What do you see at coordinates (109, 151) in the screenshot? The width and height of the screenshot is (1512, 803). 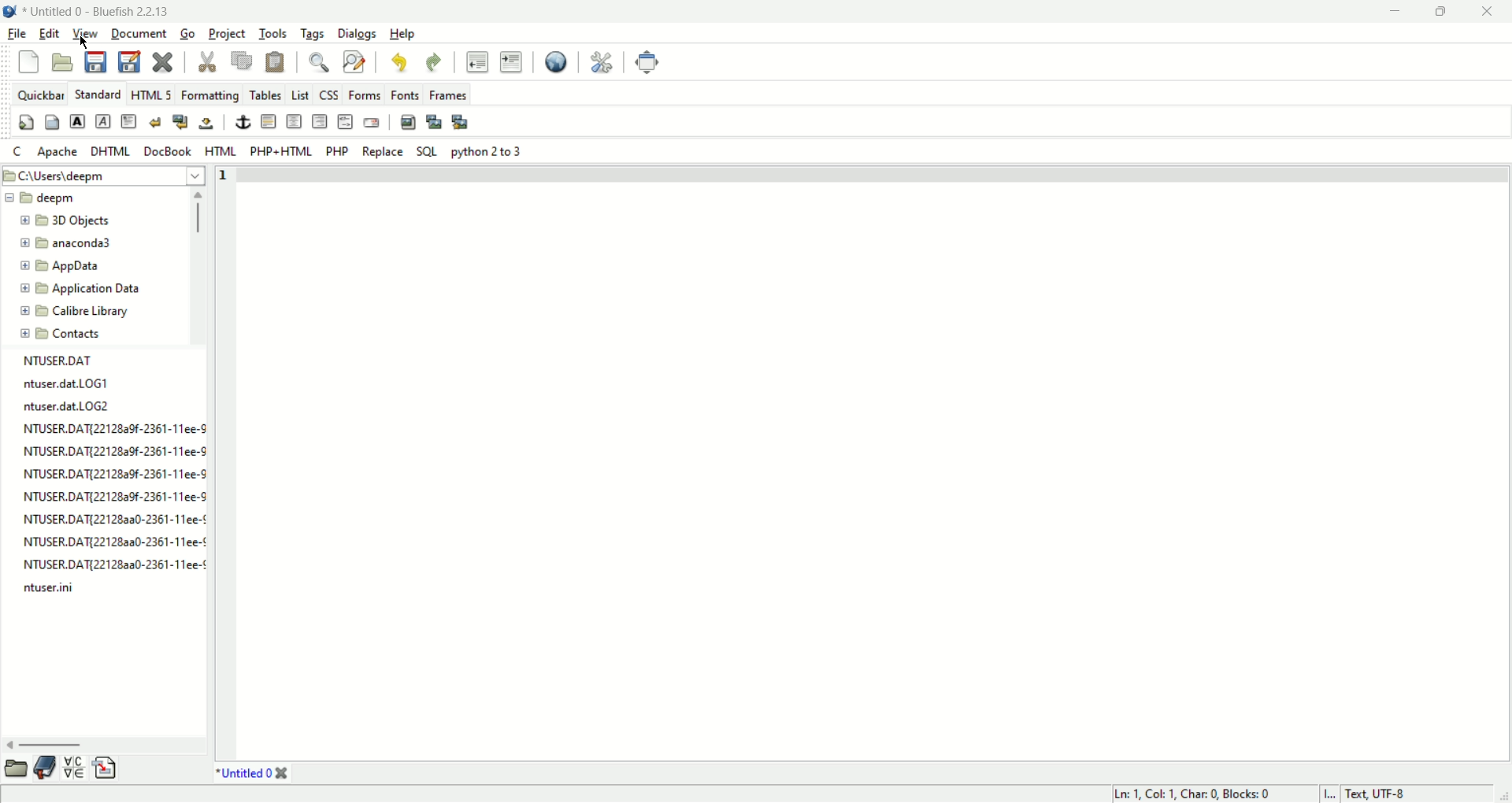 I see `DHTML` at bounding box center [109, 151].